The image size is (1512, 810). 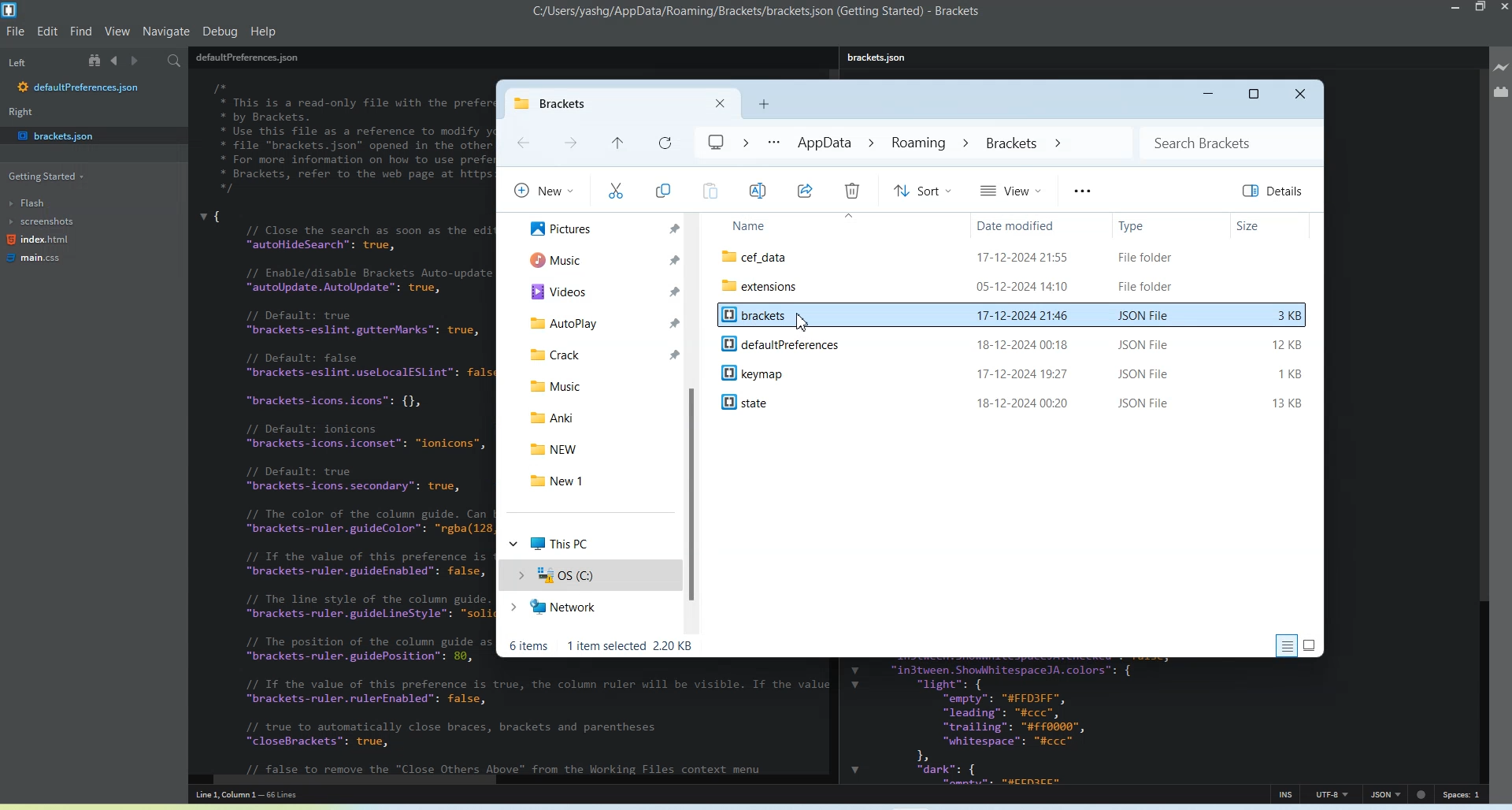 I want to click on Extension Manager, so click(x=1500, y=91).